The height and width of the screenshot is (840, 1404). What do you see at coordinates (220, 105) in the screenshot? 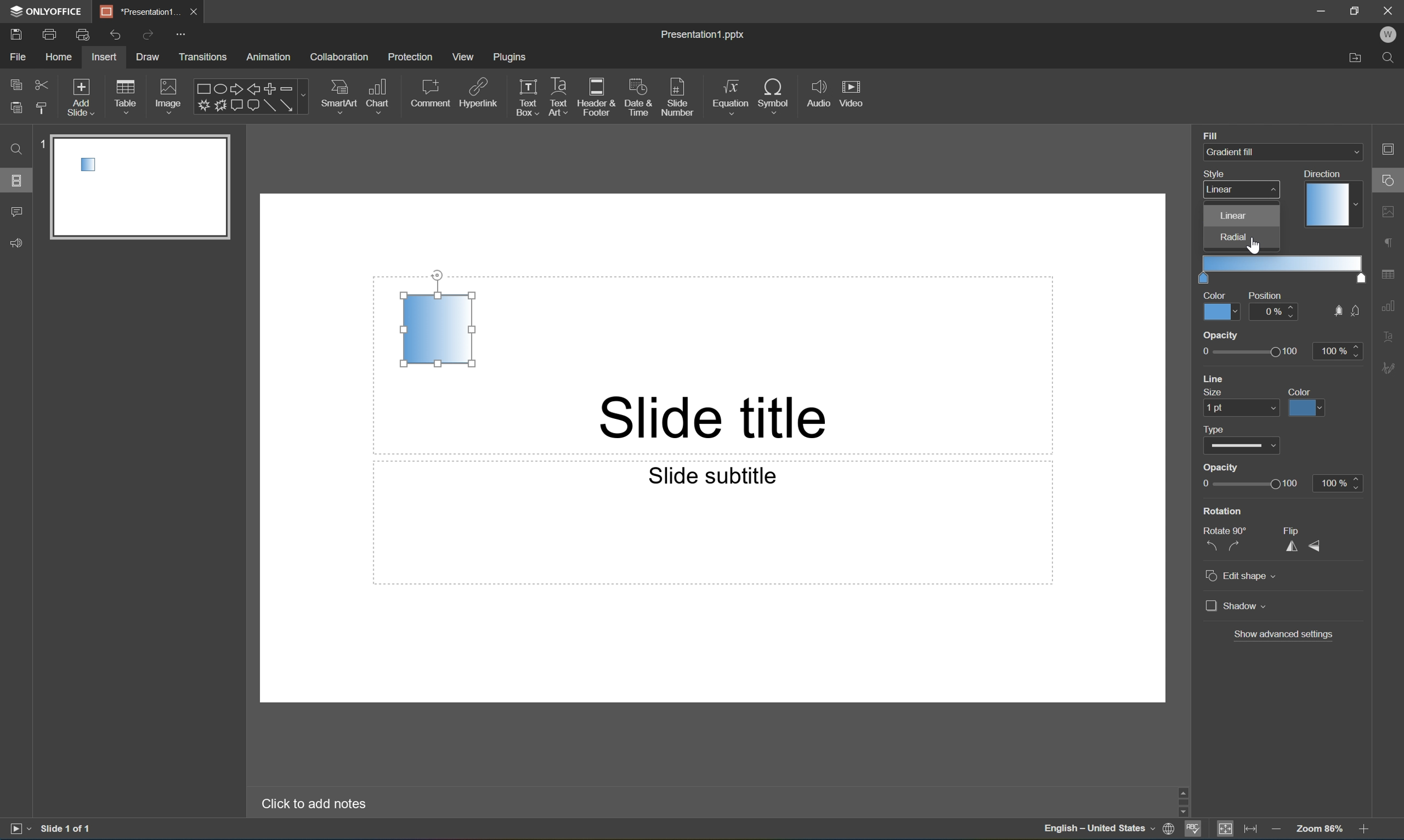
I see `` at bounding box center [220, 105].